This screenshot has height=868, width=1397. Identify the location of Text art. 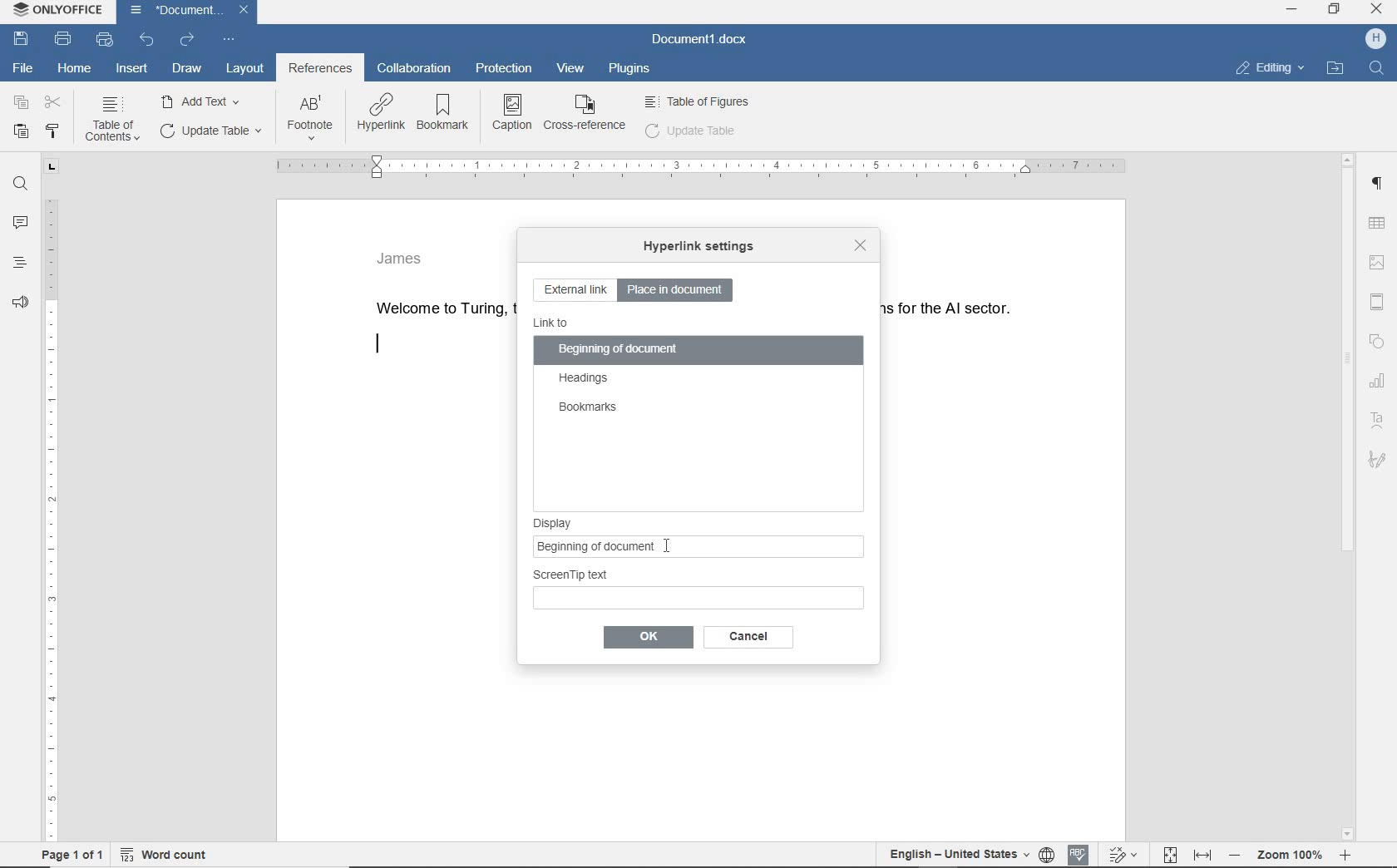
(1381, 419).